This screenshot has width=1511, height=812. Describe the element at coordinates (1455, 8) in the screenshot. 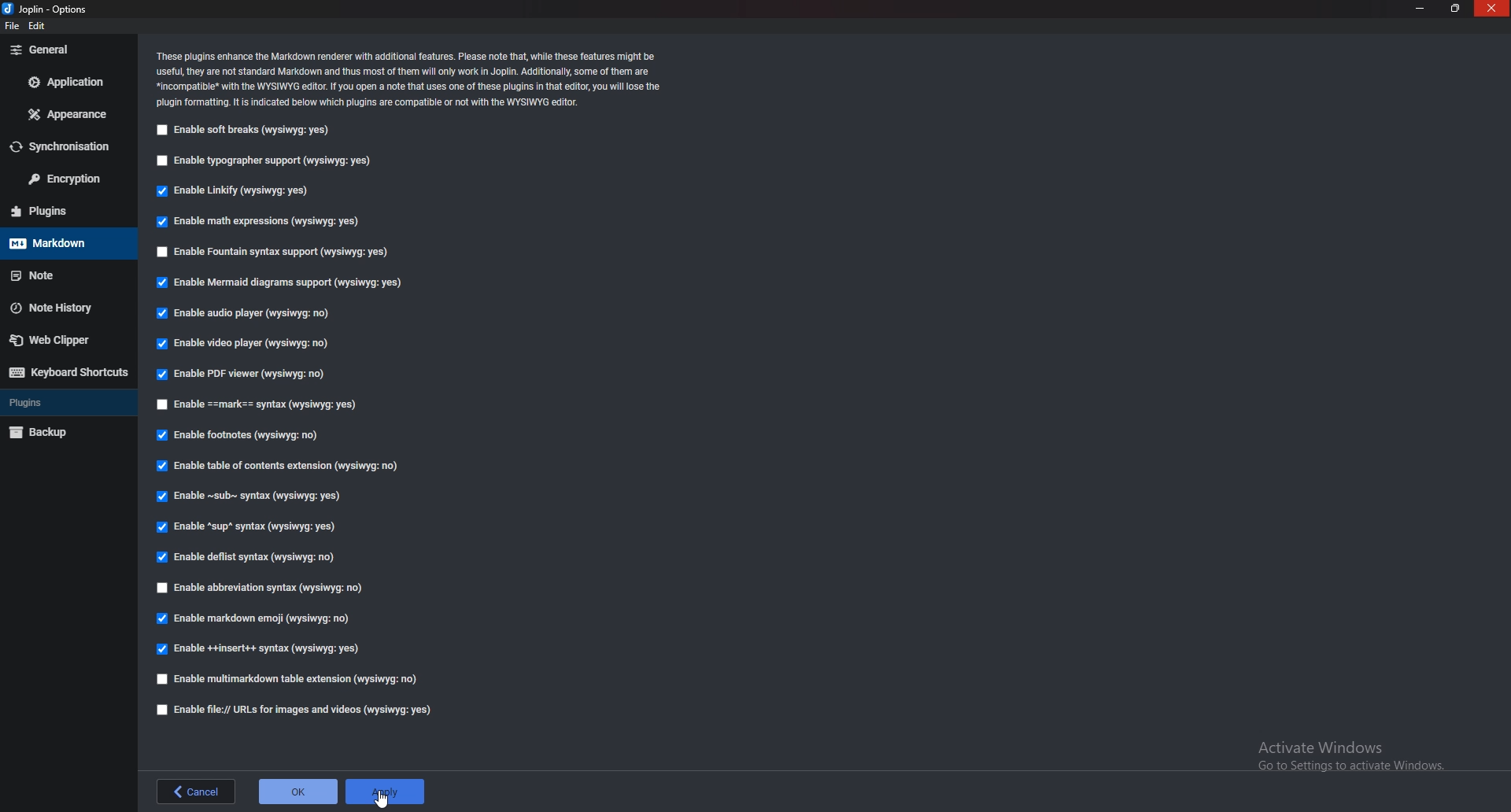

I see `resize` at that location.